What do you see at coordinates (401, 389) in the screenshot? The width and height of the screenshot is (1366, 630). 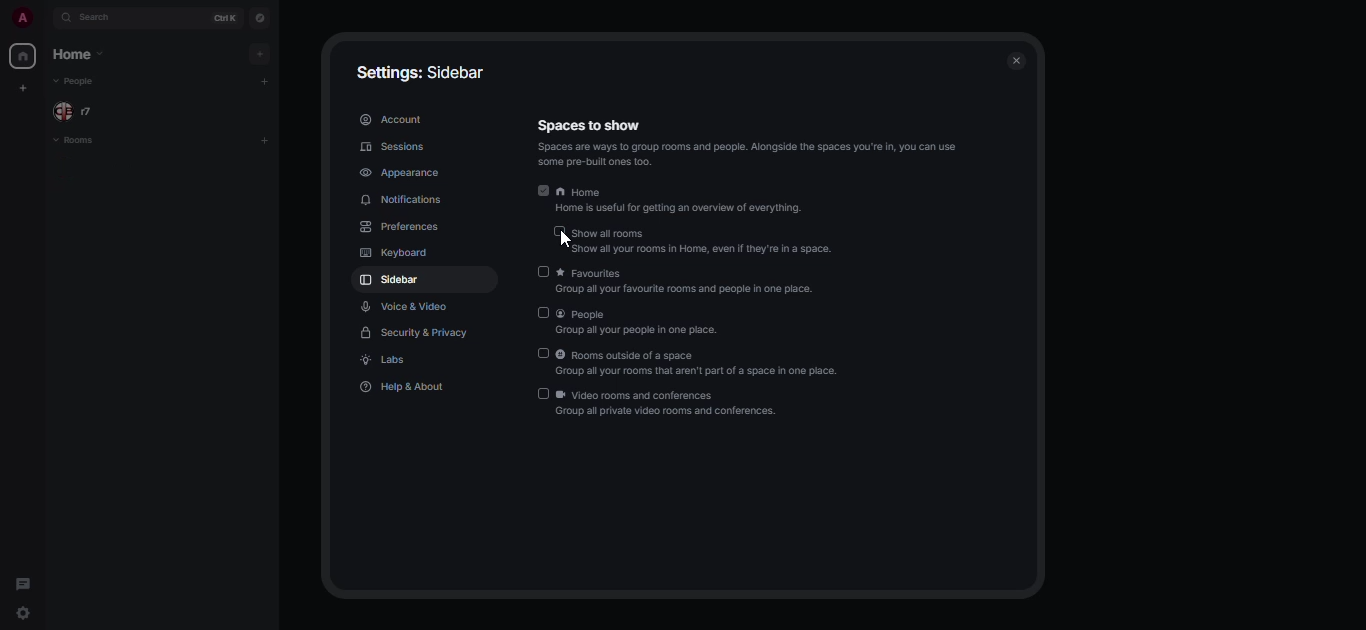 I see `help & about` at bounding box center [401, 389].